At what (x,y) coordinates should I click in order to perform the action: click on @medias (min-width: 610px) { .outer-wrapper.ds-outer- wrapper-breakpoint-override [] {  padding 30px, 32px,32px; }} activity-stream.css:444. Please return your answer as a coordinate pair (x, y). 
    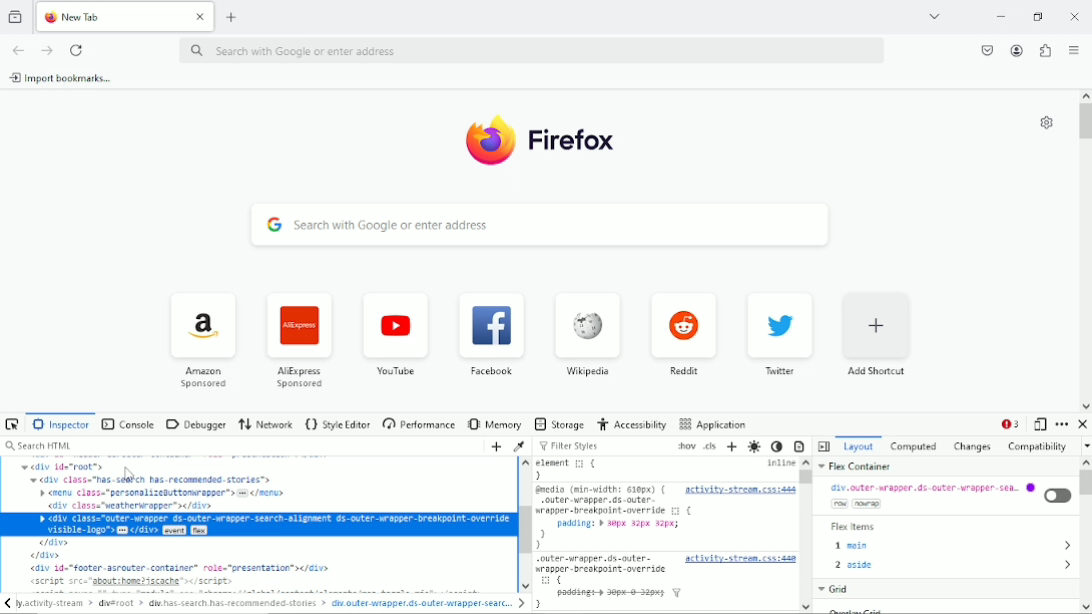
    Looking at the image, I should click on (666, 517).